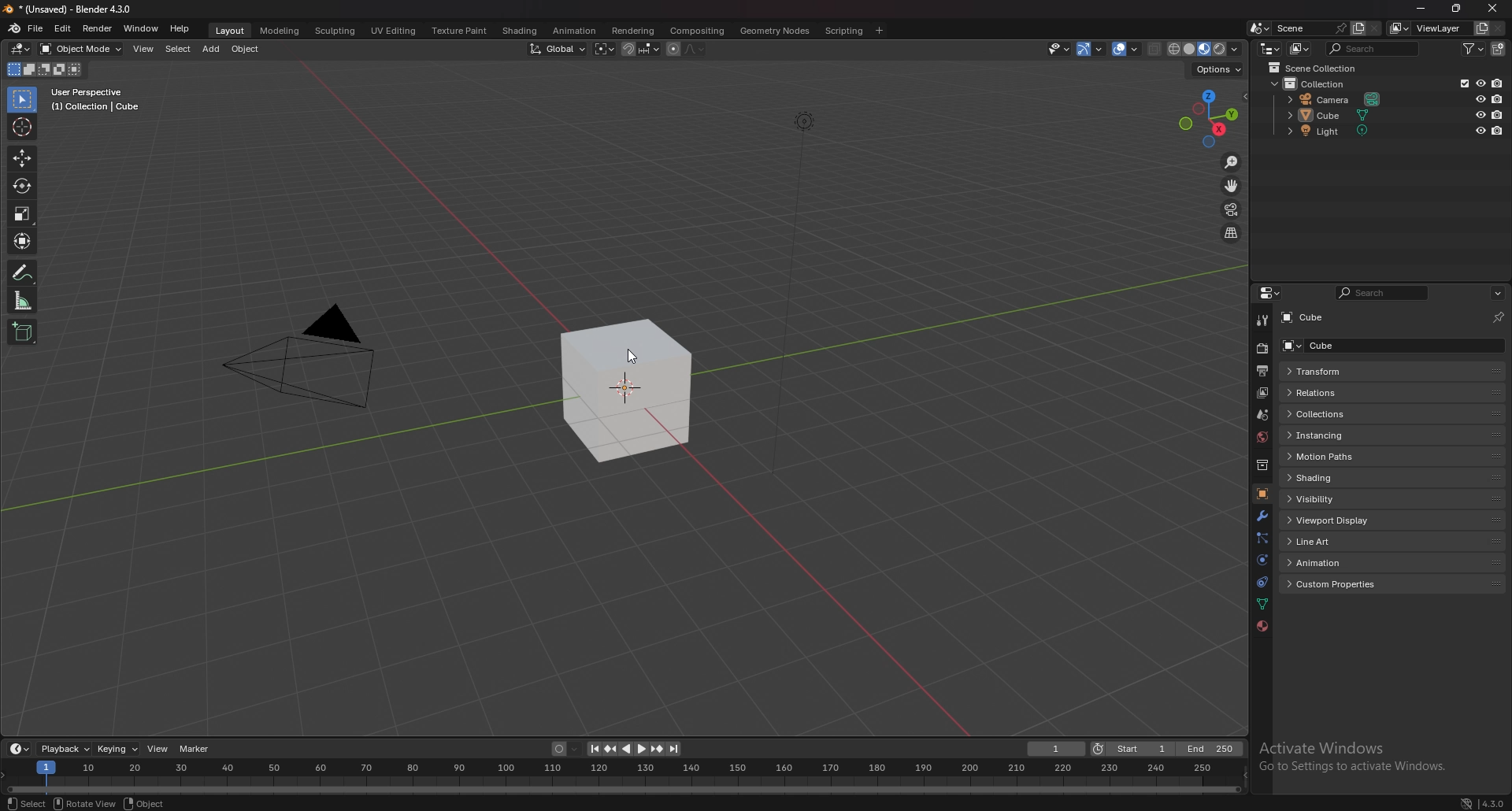  Describe the element at coordinates (1209, 119) in the screenshot. I see `preset viewpoint` at that location.